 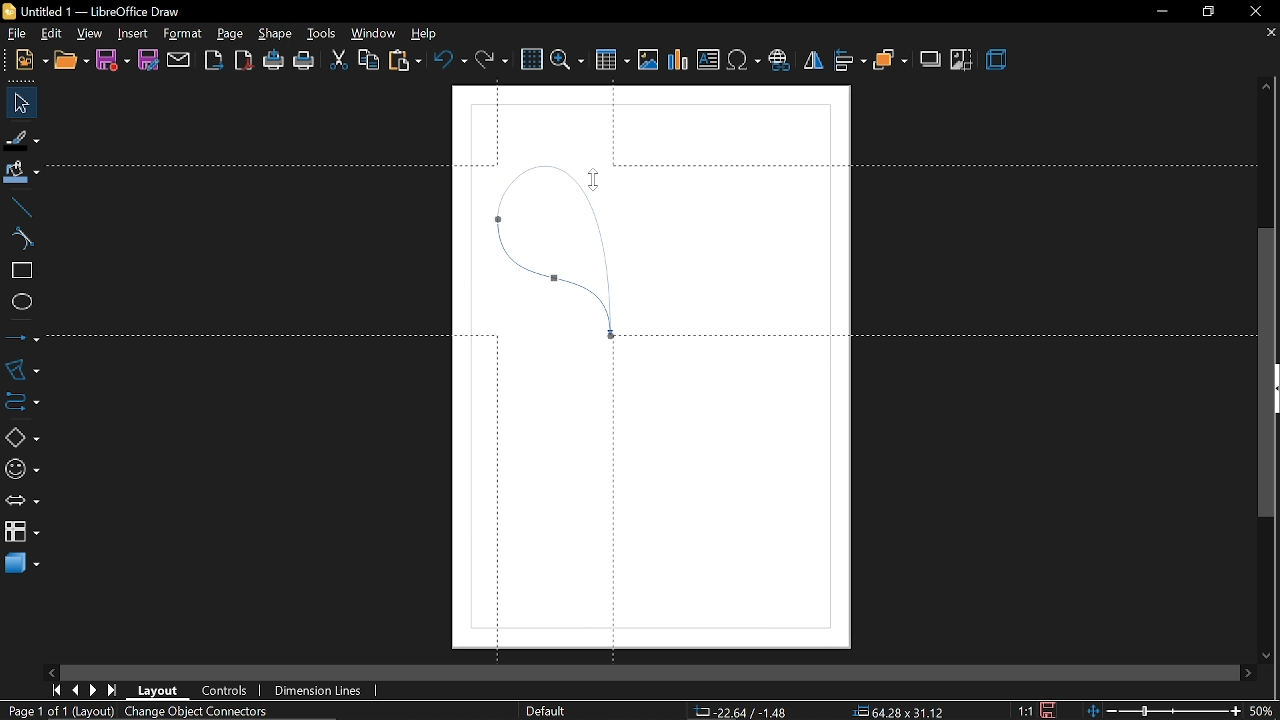 I want to click on current zoom, so click(x=1264, y=711).